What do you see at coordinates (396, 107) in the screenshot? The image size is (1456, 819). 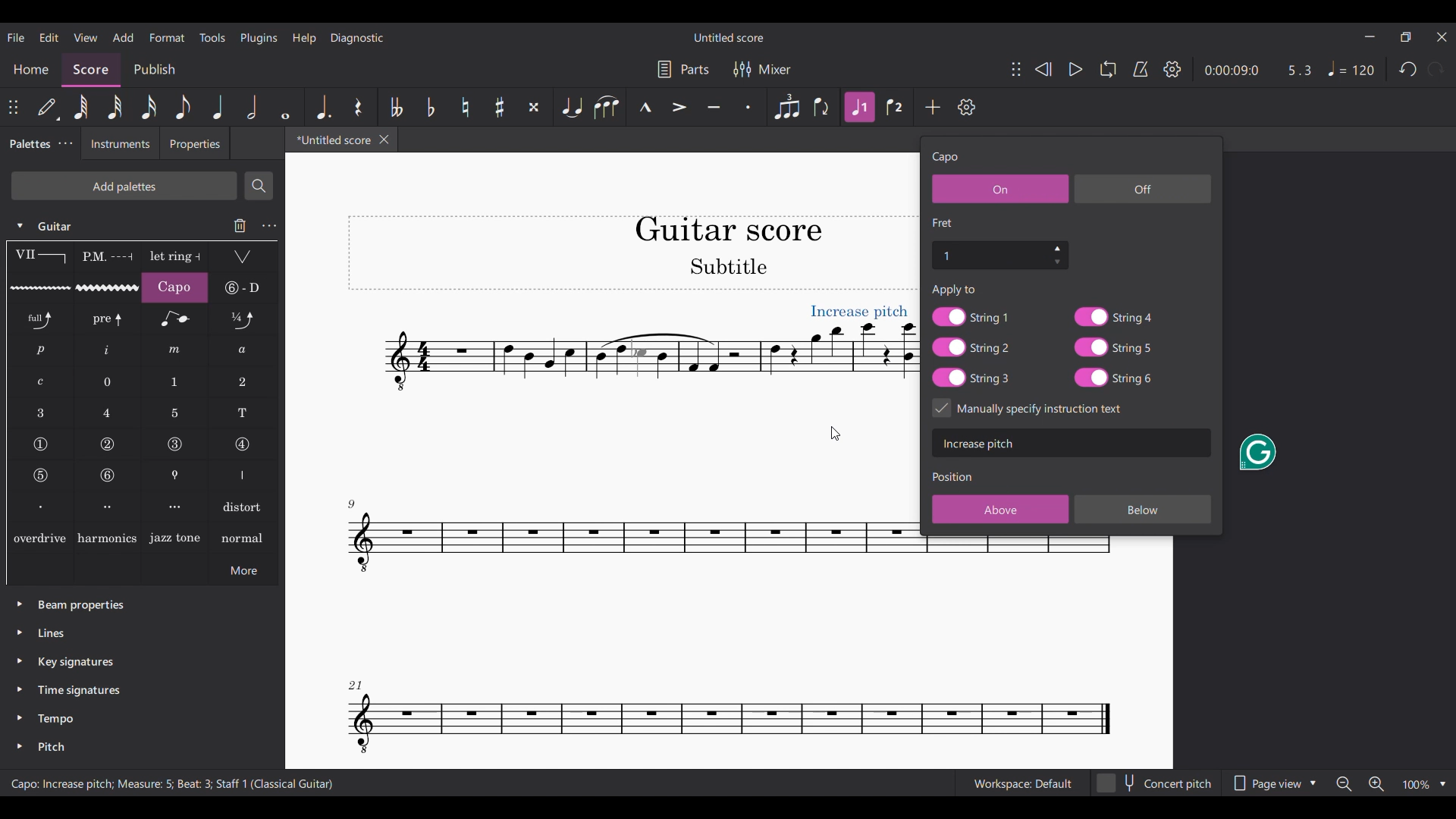 I see `Toggle double flat` at bounding box center [396, 107].